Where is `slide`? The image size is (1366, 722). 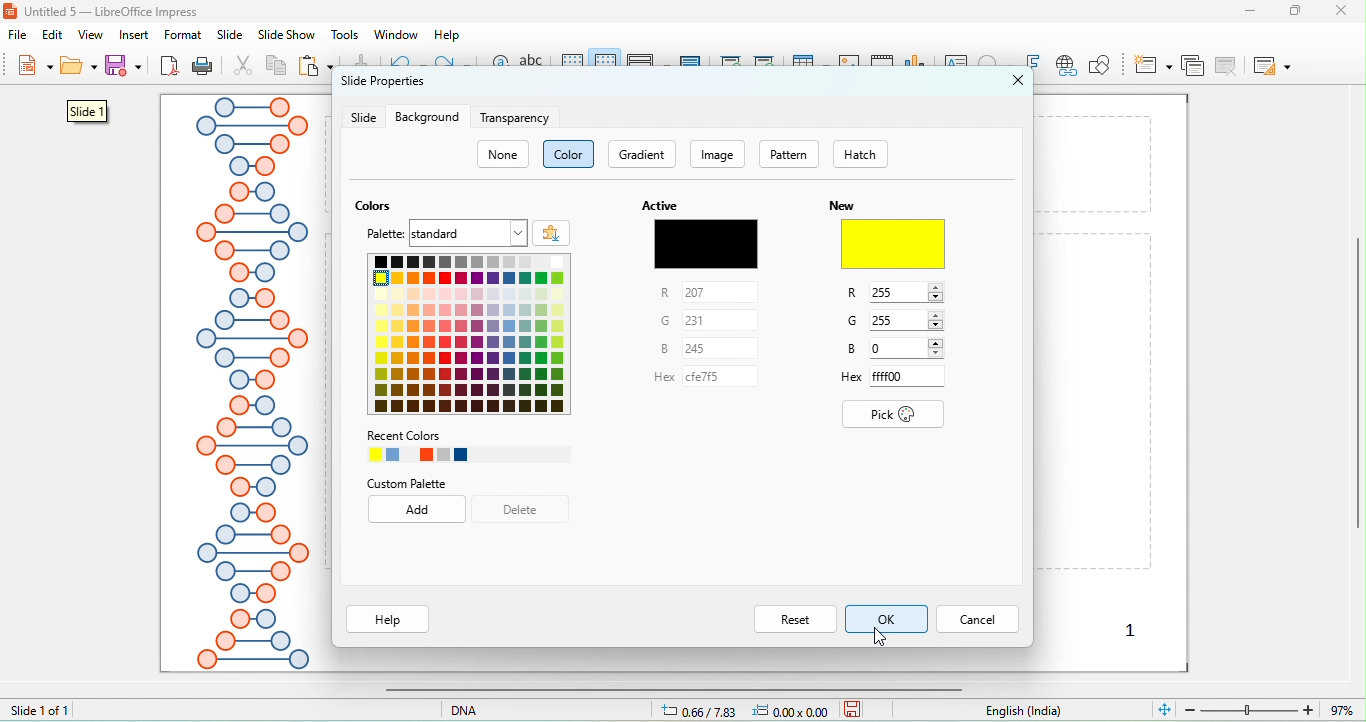
slide is located at coordinates (230, 35).